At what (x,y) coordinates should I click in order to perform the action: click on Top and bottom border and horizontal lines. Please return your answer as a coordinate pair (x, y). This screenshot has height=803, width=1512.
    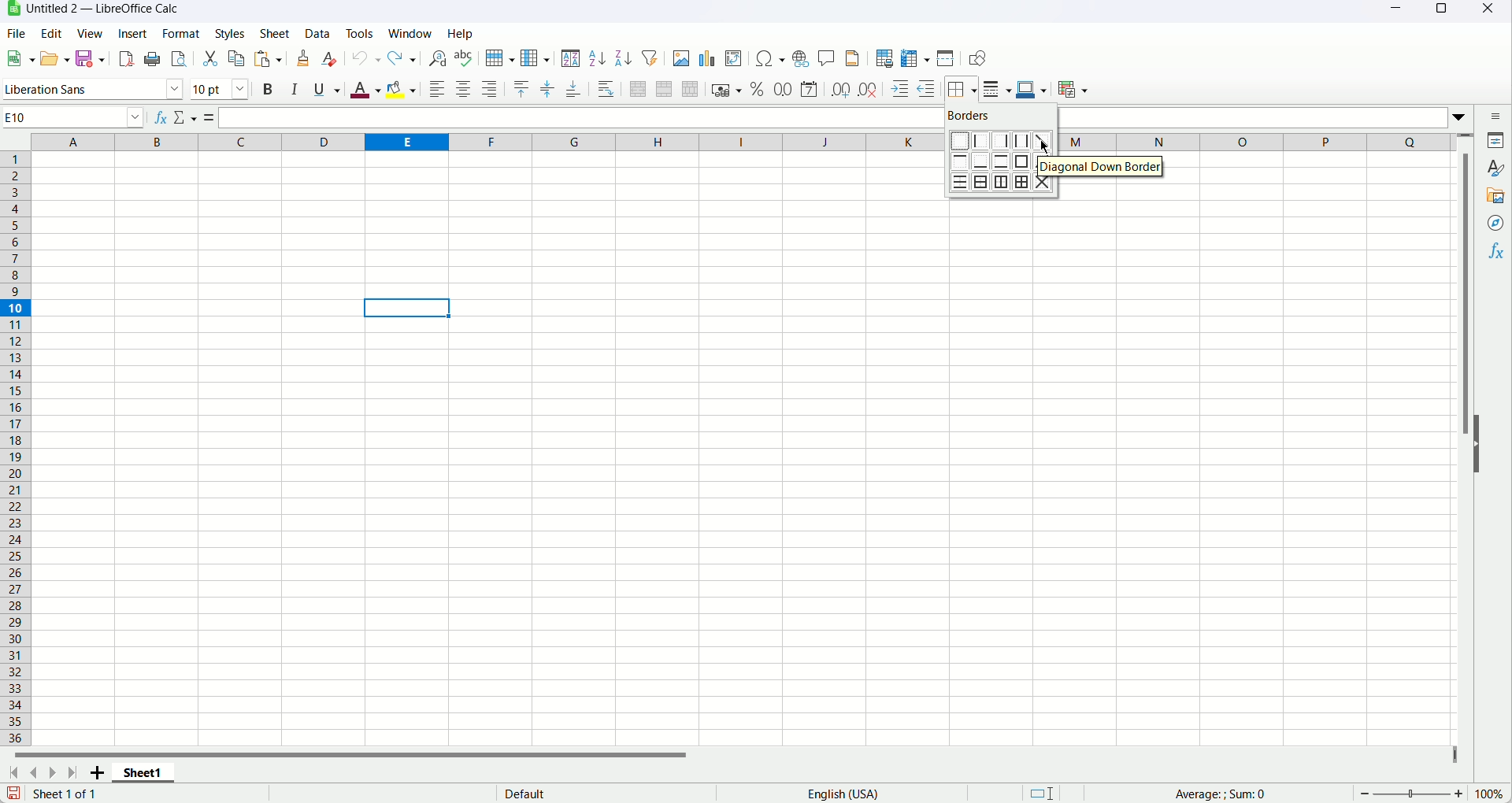
    Looking at the image, I should click on (960, 183).